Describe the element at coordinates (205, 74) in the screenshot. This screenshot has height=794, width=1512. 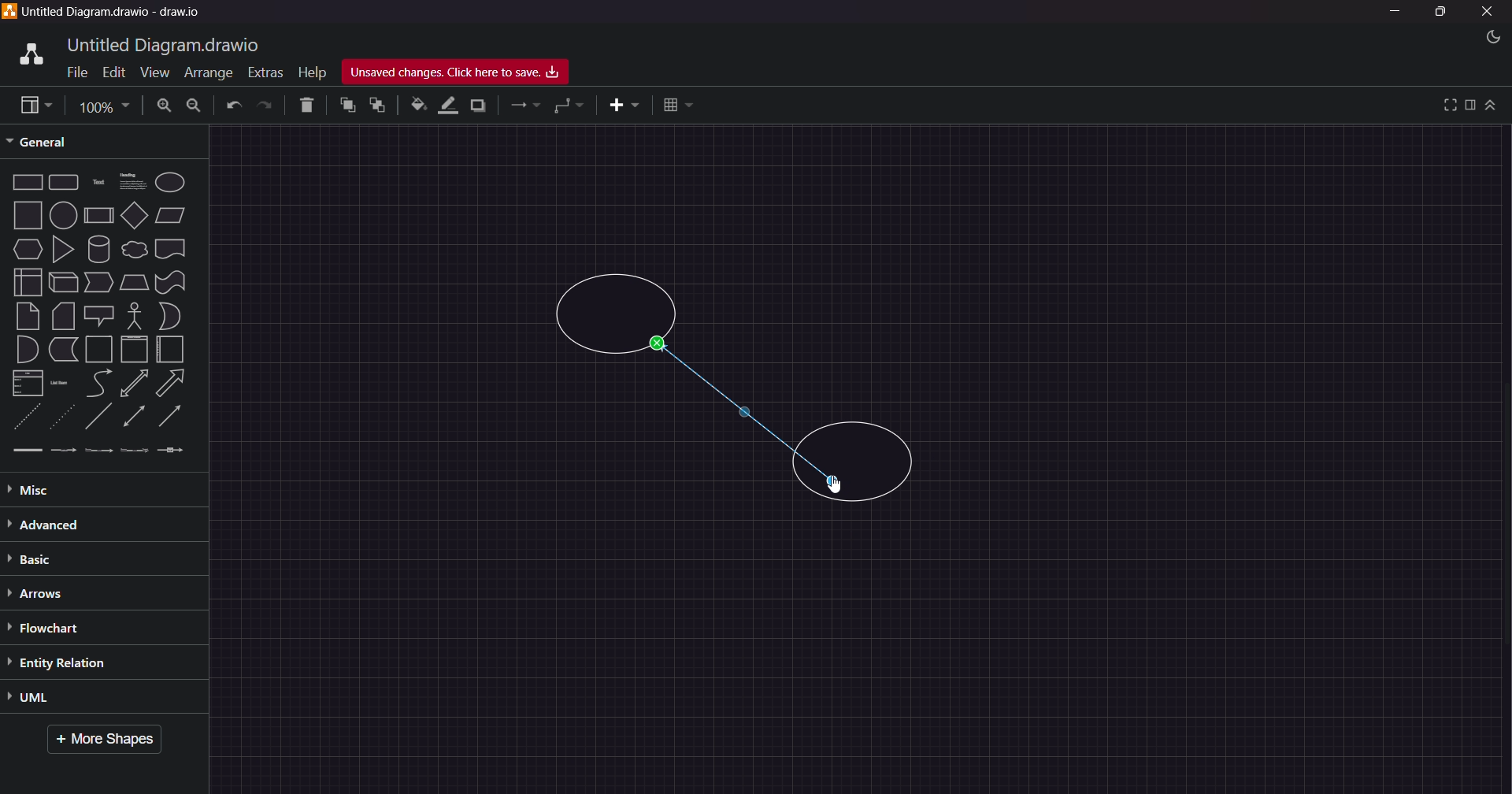
I see `Arrange` at that location.